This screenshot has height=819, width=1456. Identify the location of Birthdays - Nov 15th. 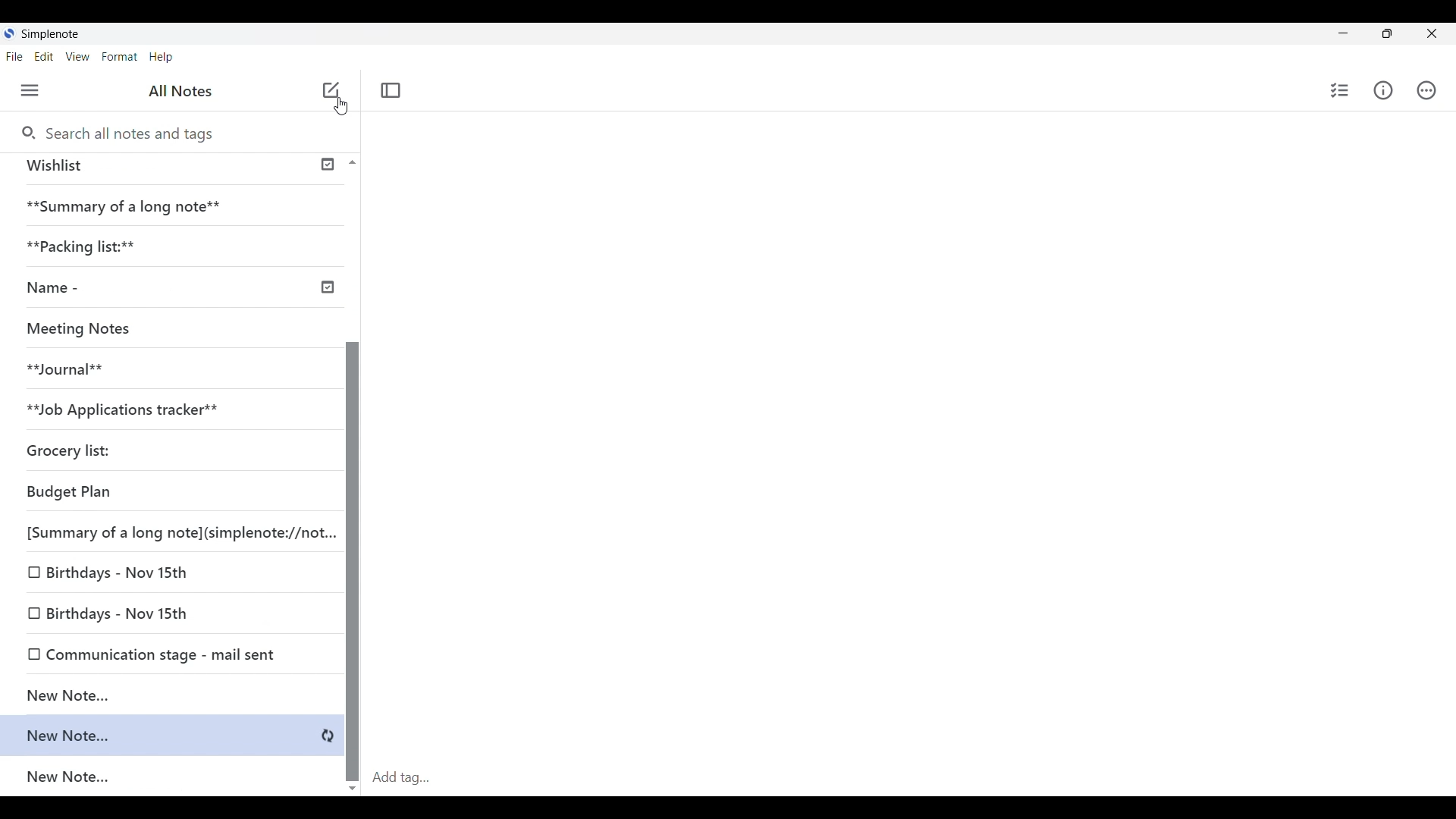
(171, 575).